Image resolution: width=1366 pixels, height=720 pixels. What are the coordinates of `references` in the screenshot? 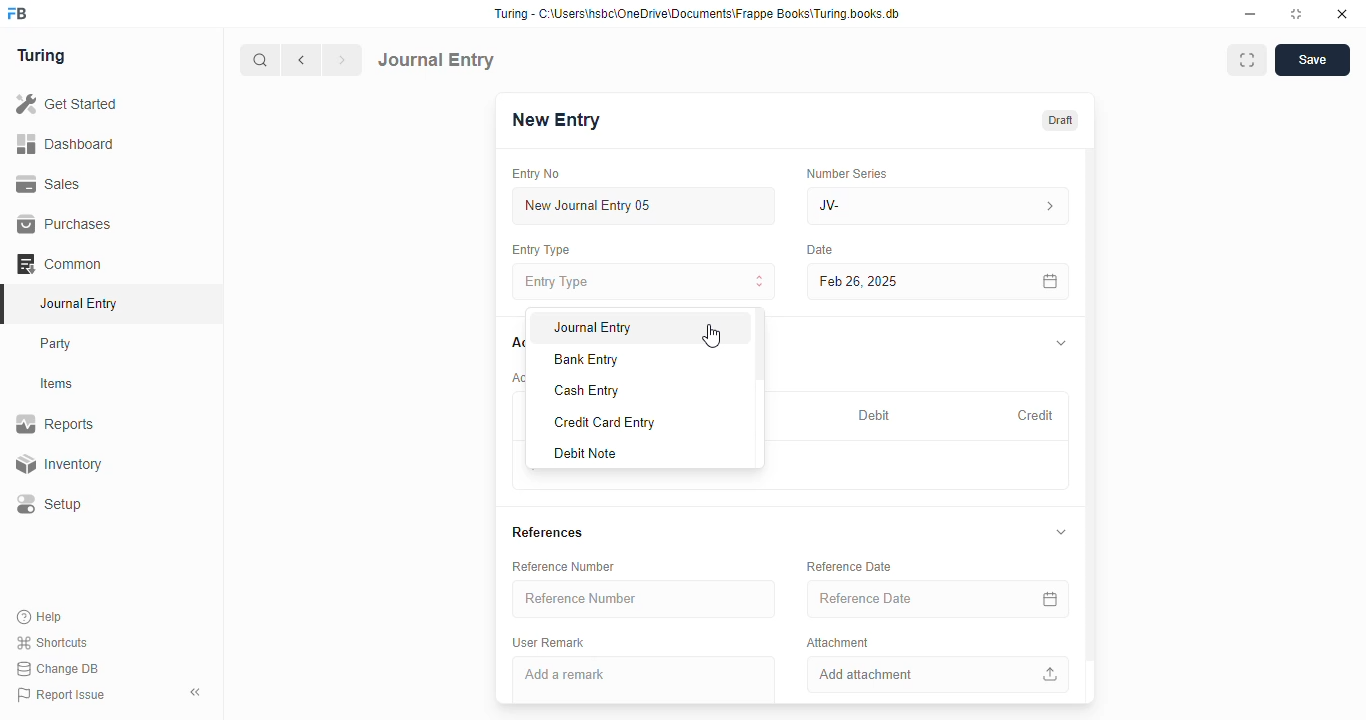 It's located at (547, 533).